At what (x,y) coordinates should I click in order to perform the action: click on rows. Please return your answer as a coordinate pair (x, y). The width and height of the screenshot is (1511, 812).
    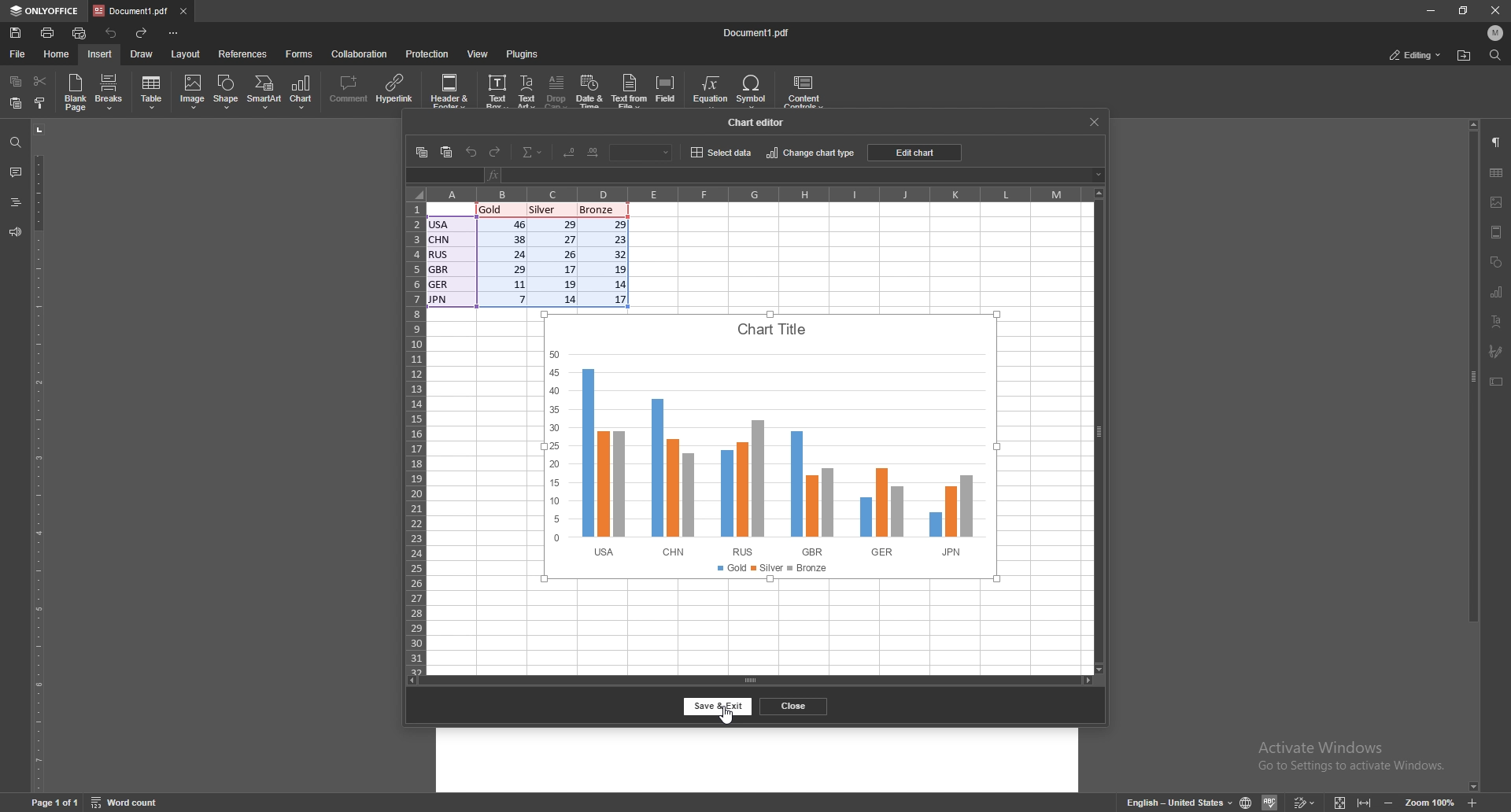
    Looking at the image, I should click on (416, 438).